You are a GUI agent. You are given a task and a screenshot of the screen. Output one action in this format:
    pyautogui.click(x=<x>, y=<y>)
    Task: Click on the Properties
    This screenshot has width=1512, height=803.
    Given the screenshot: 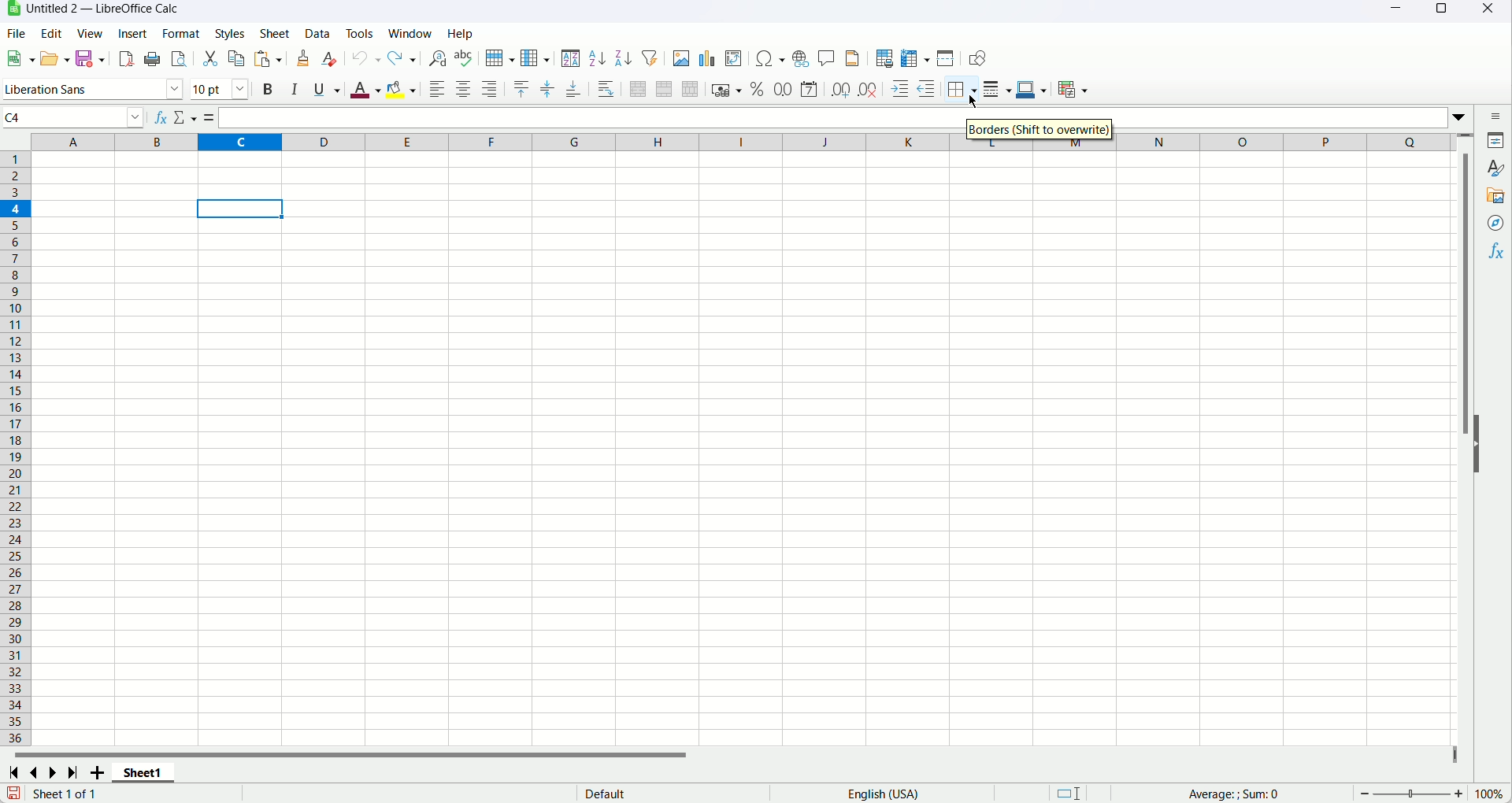 What is the action you would take?
    pyautogui.click(x=1495, y=140)
    